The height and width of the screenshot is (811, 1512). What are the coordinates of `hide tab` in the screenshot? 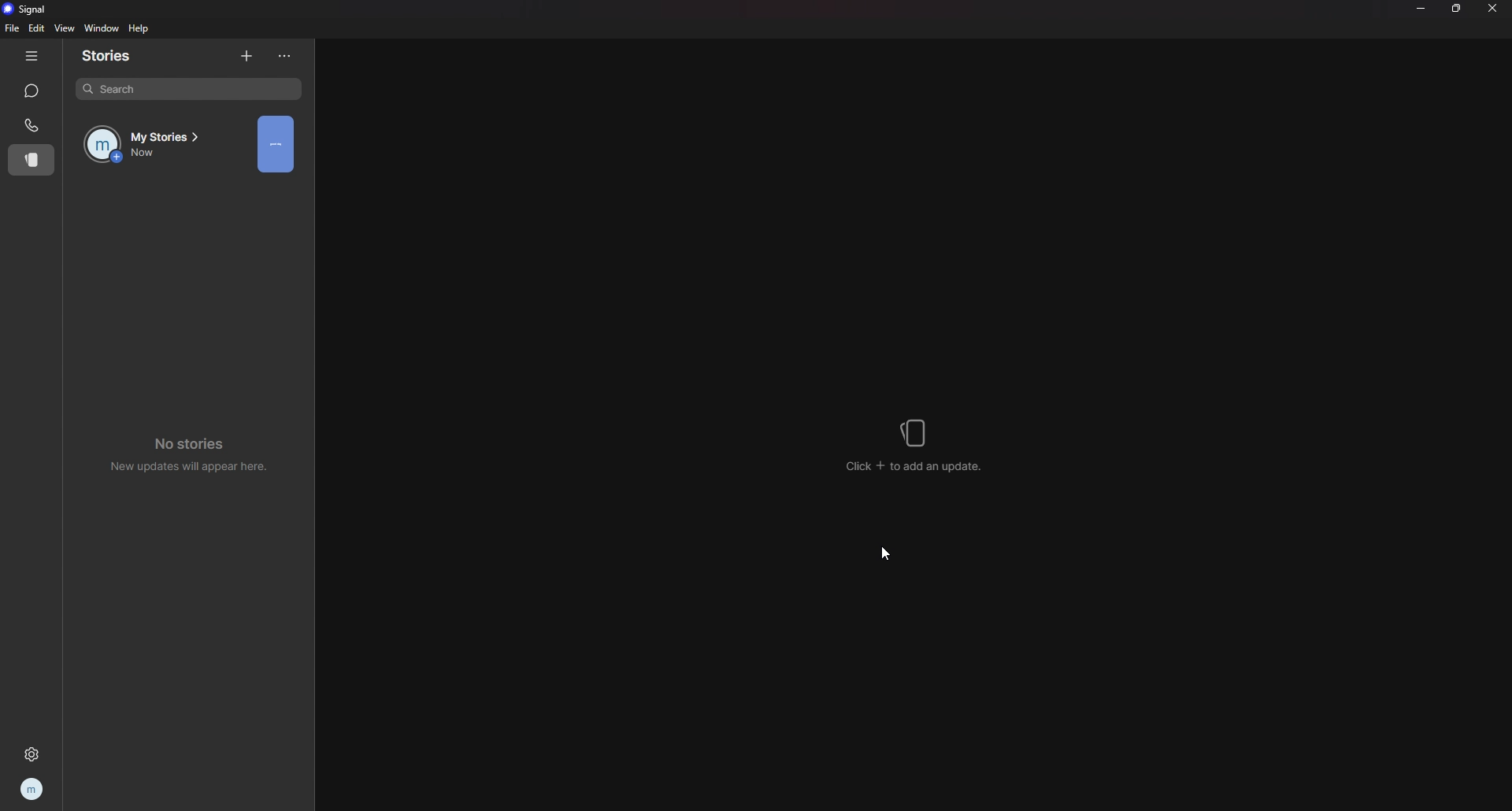 It's located at (31, 56).